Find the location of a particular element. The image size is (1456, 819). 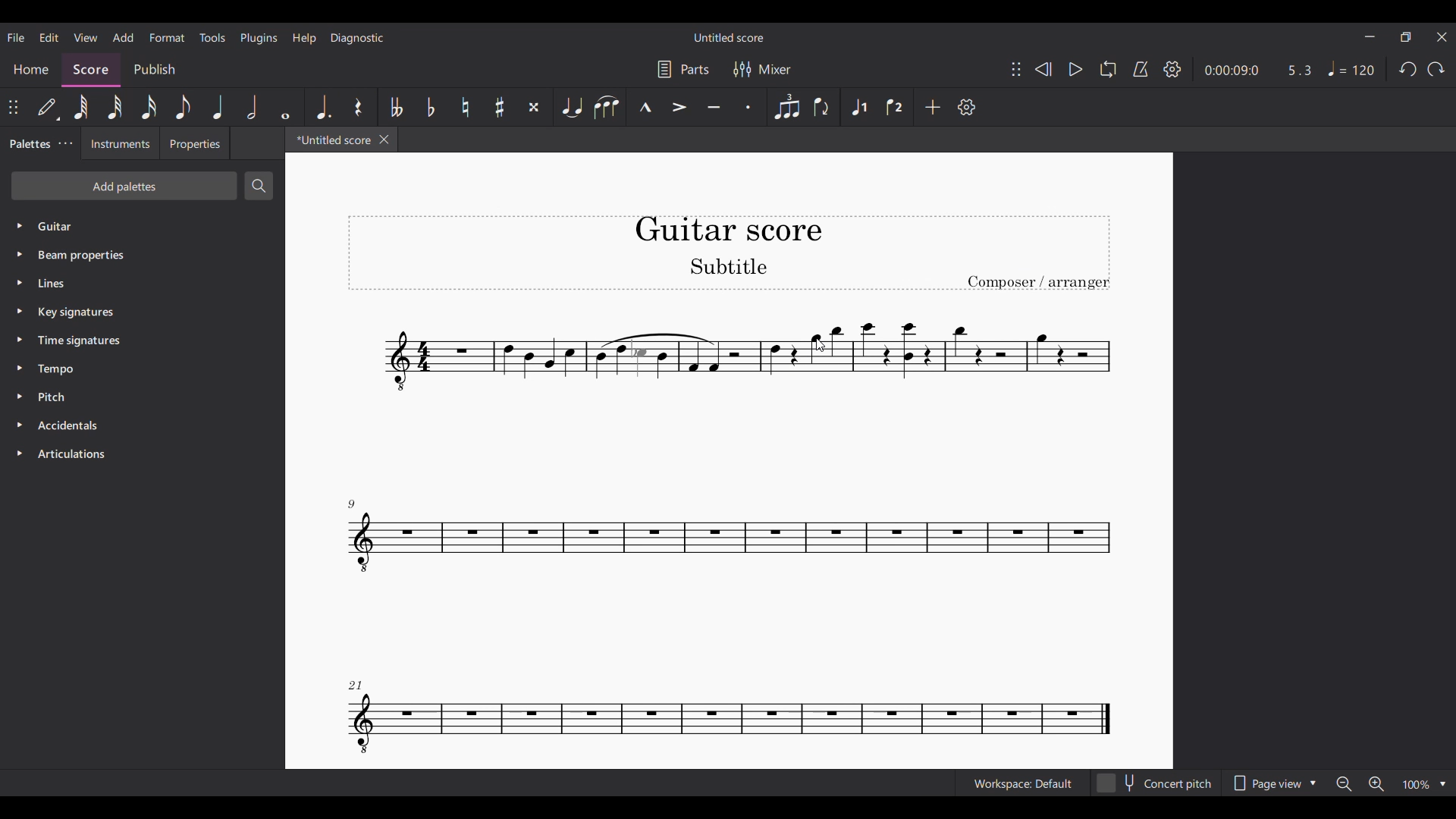

Whole note is located at coordinates (285, 107).